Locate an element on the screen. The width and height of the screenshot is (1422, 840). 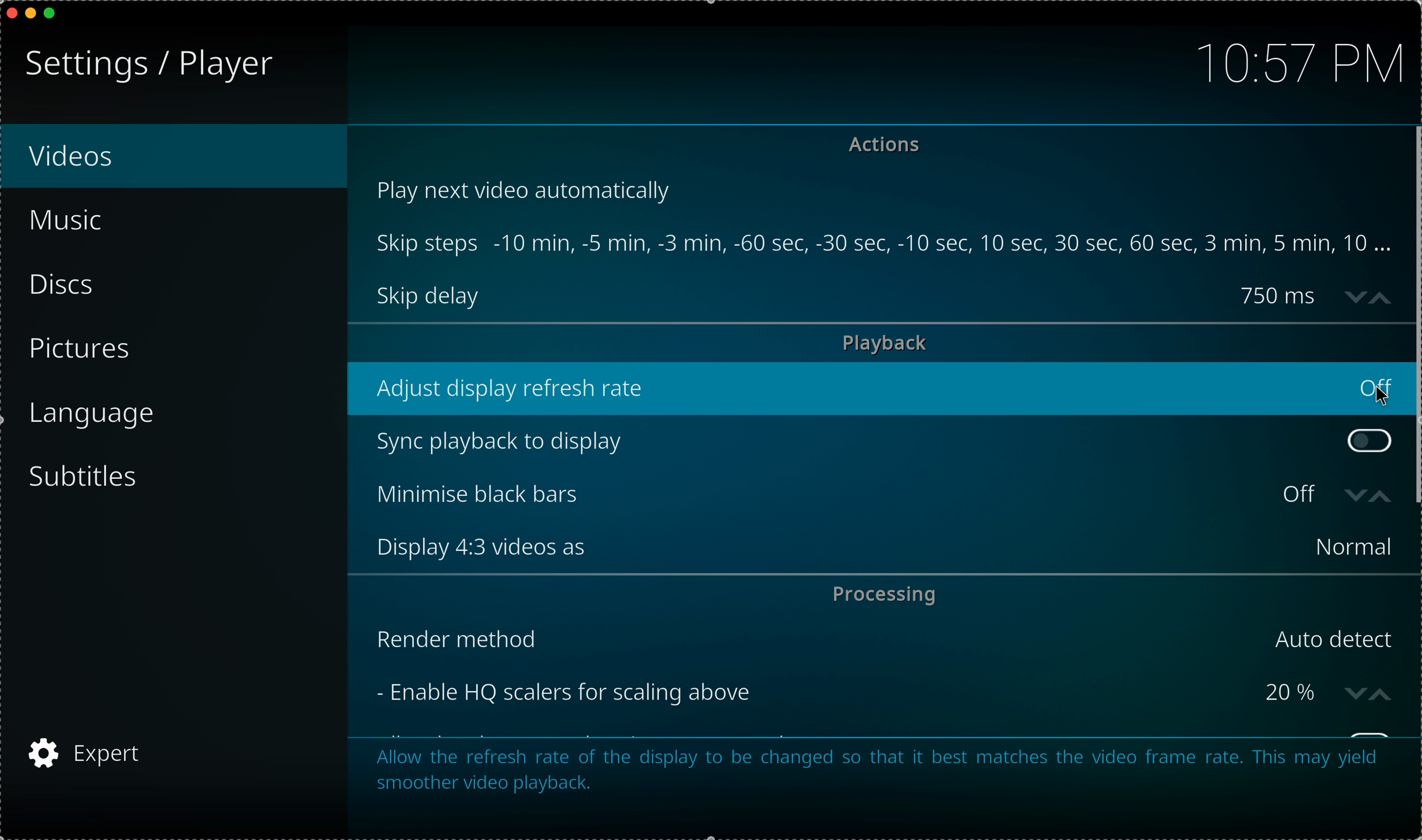
Skip steps -10 min, -5 min, -3 min, -60 sec, -30 sec, -10 sec, 10 sec, 30 sec, 60 sec, 3 min, 5 min, 10 ... is located at coordinates (886, 243).